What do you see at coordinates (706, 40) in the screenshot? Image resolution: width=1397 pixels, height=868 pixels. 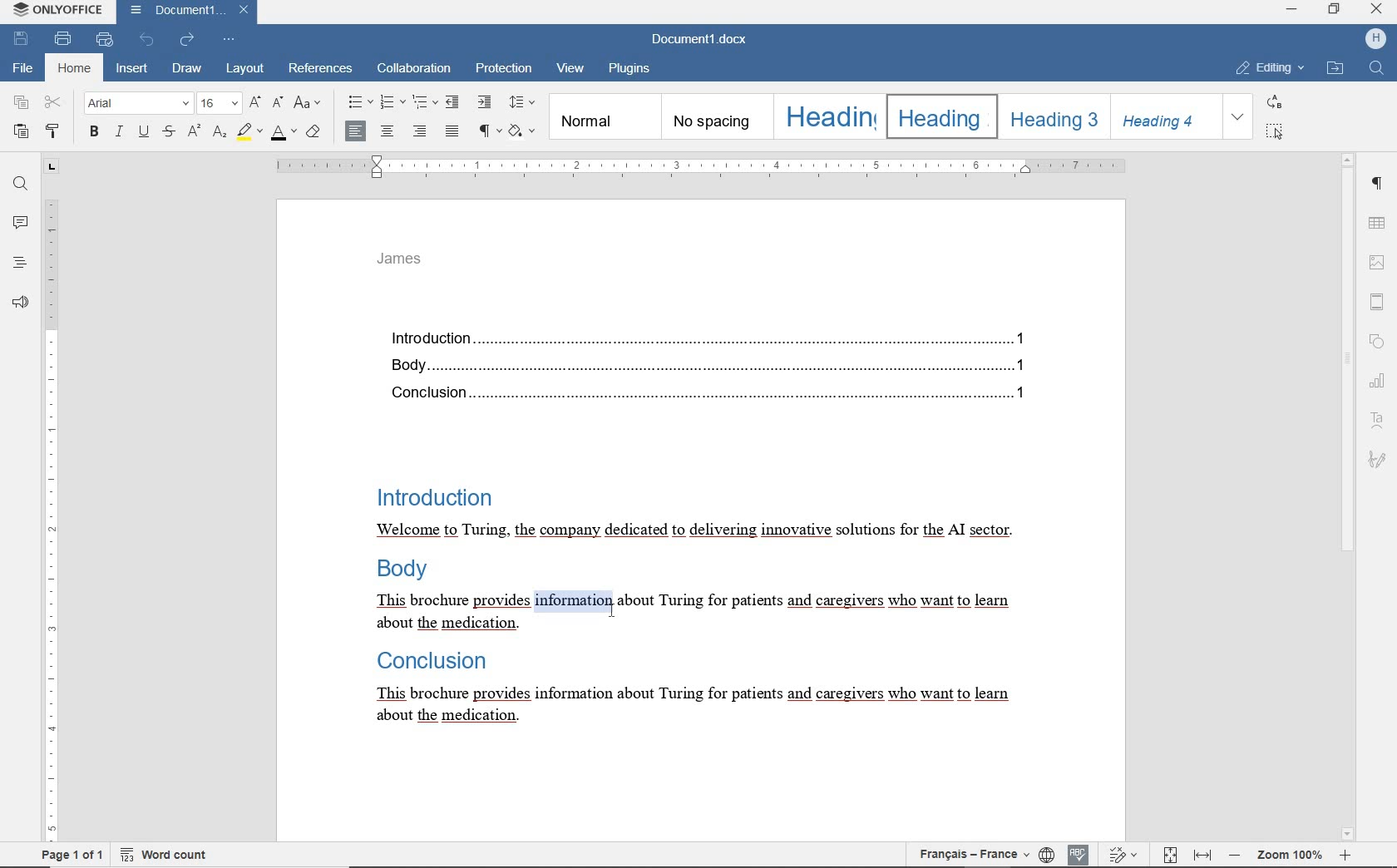 I see `DOCUMENT NAME` at bounding box center [706, 40].